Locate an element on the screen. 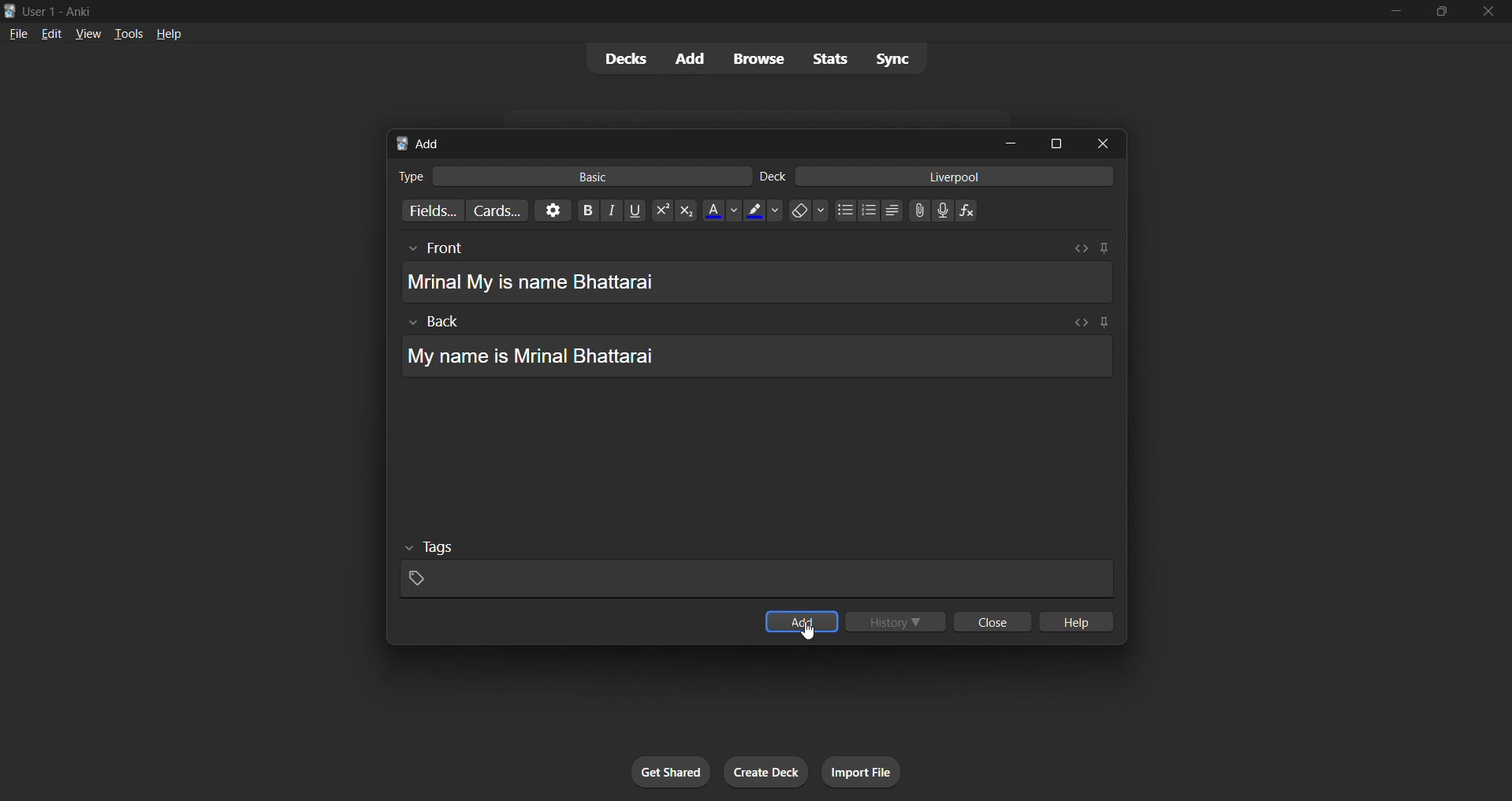 The image size is (1512, 801). create deck is located at coordinates (765, 771).